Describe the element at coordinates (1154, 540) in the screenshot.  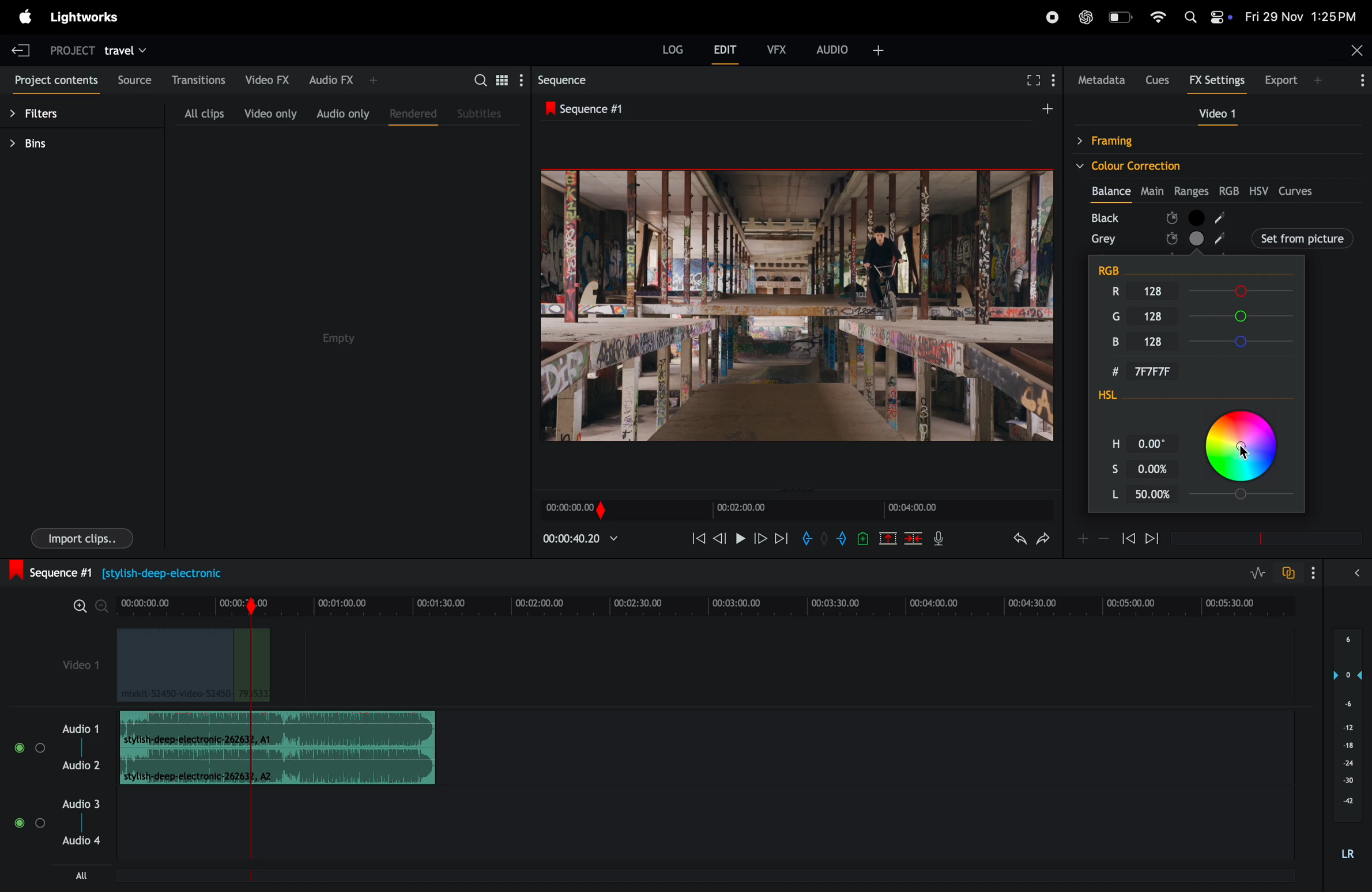
I see `forward` at that location.